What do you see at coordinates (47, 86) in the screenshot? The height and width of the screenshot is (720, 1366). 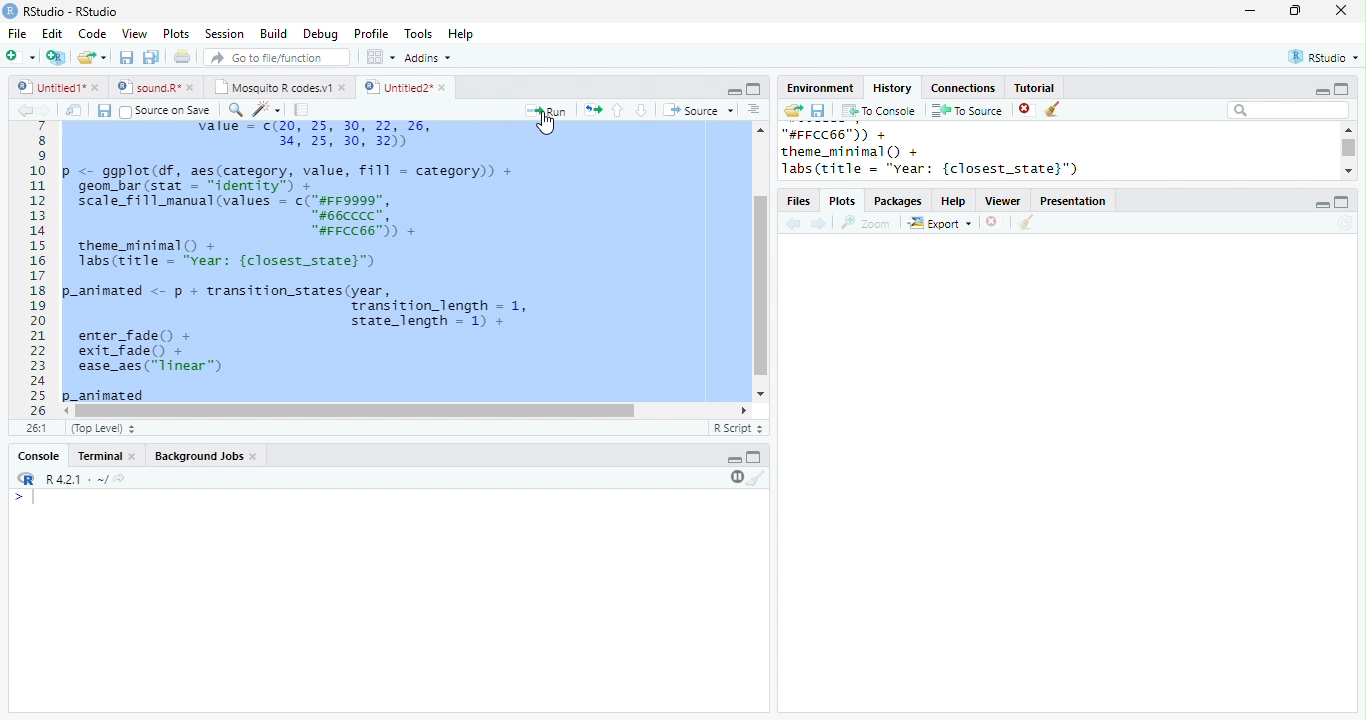 I see `Untitled1` at bounding box center [47, 86].